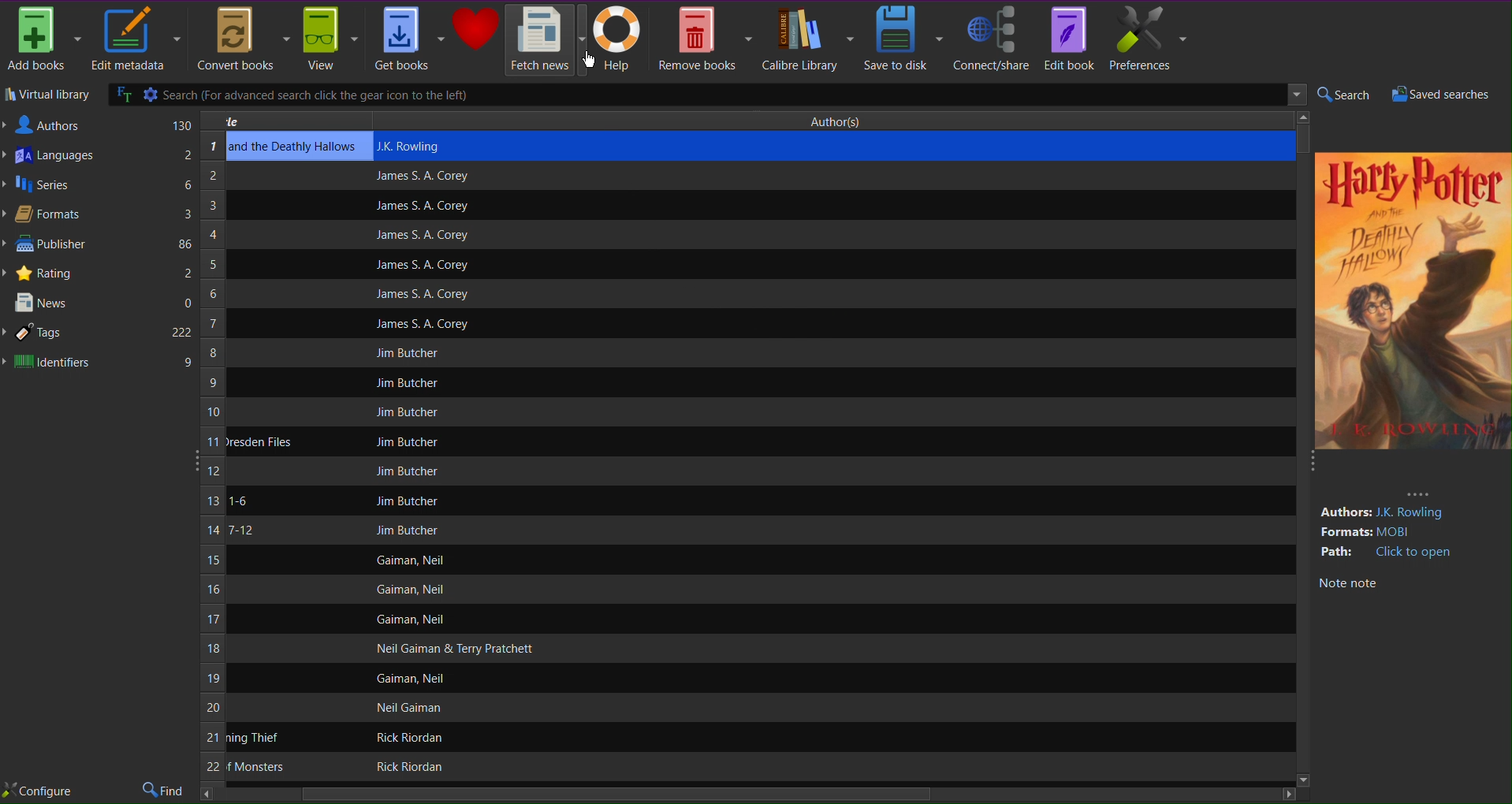 The height and width of the screenshot is (804, 1512). What do you see at coordinates (841, 121) in the screenshot?
I see `Author` at bounding box center [841, 121].